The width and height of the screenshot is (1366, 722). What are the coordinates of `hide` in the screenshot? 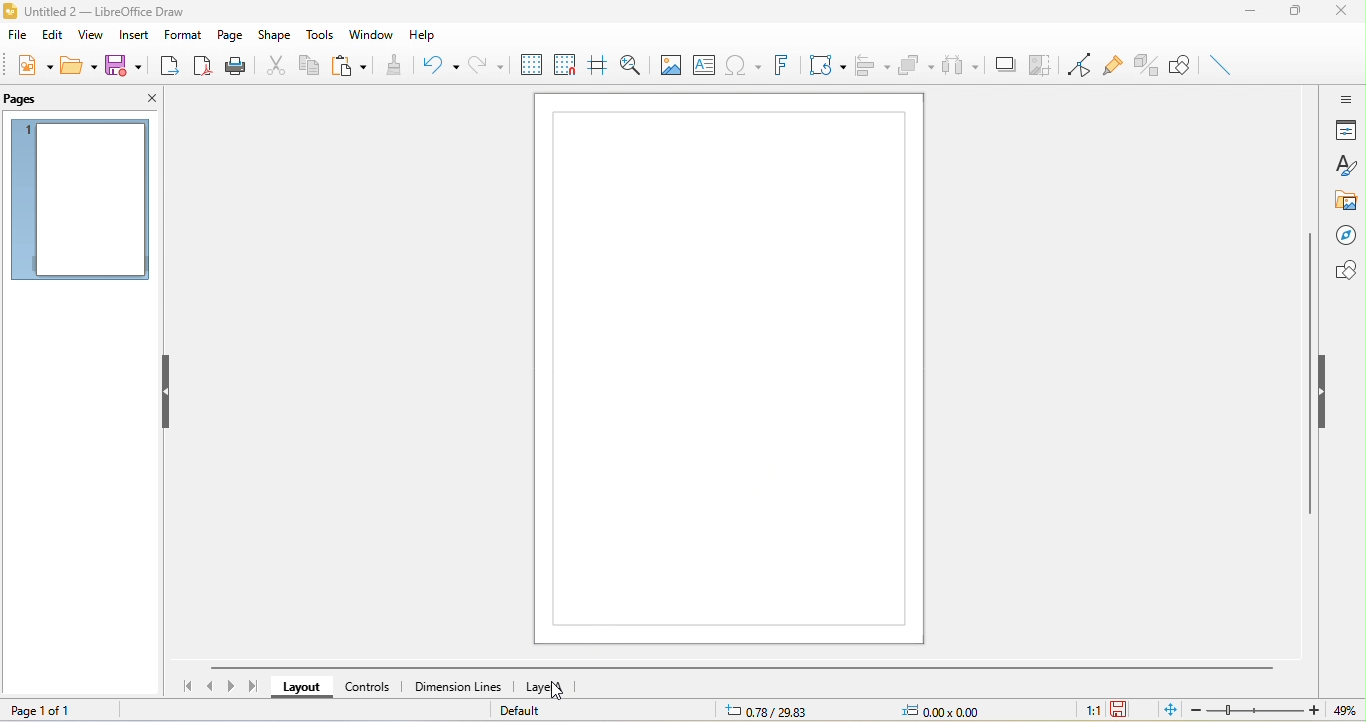 It's located at (1330, 390).